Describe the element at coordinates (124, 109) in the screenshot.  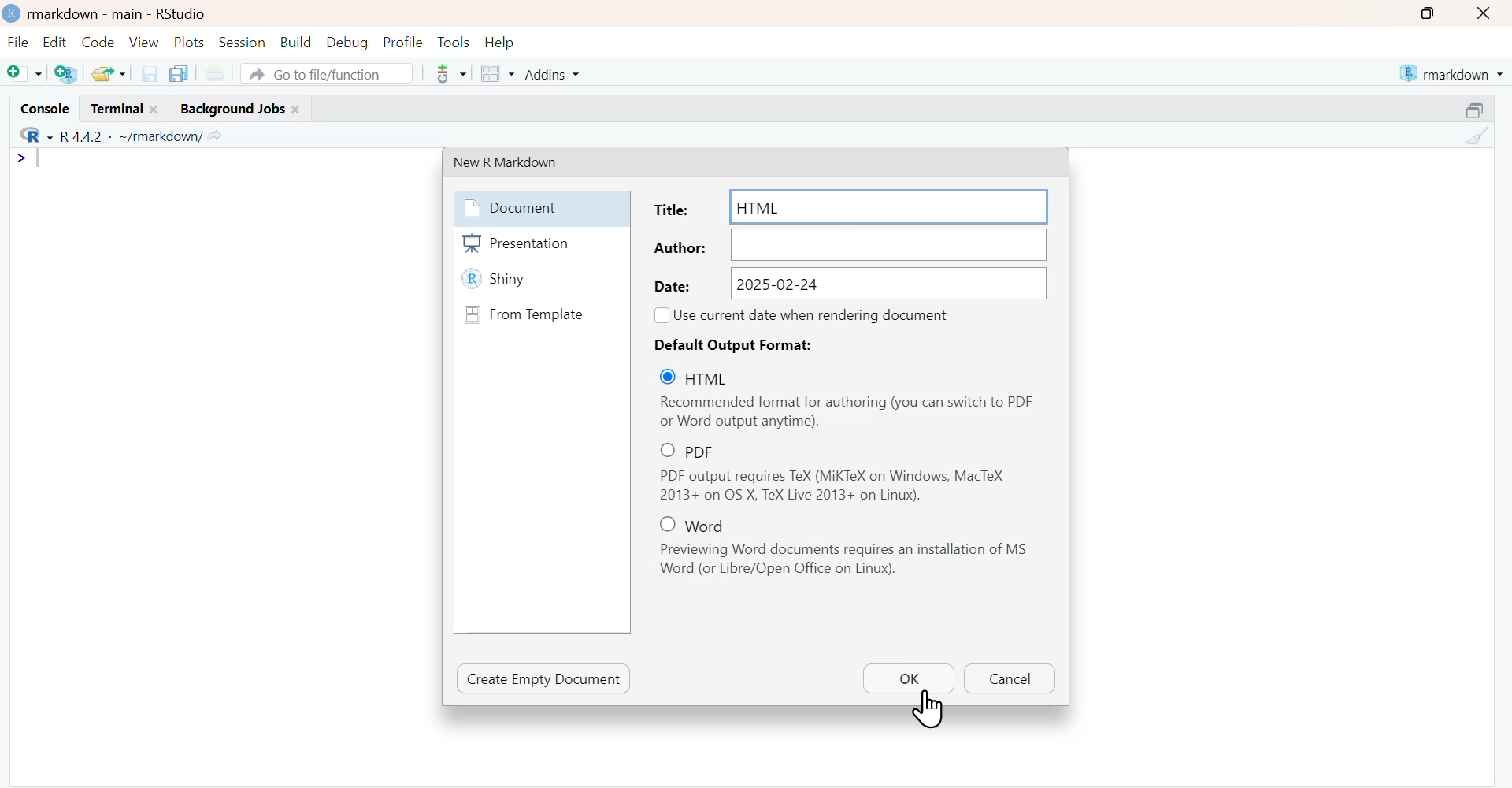
I see `terminal` at that location.